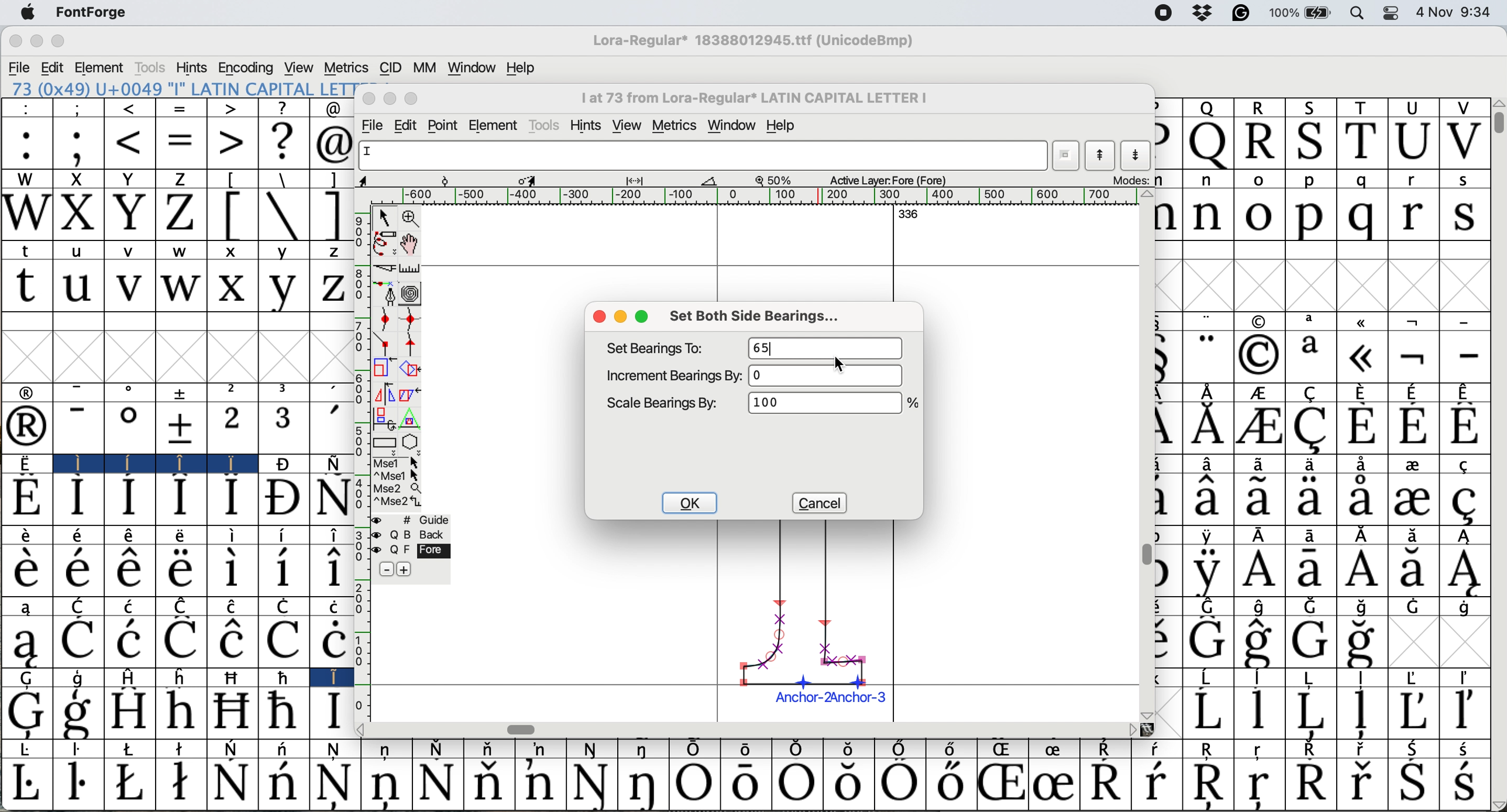  I want to click on Symbol, so click(132, 605).